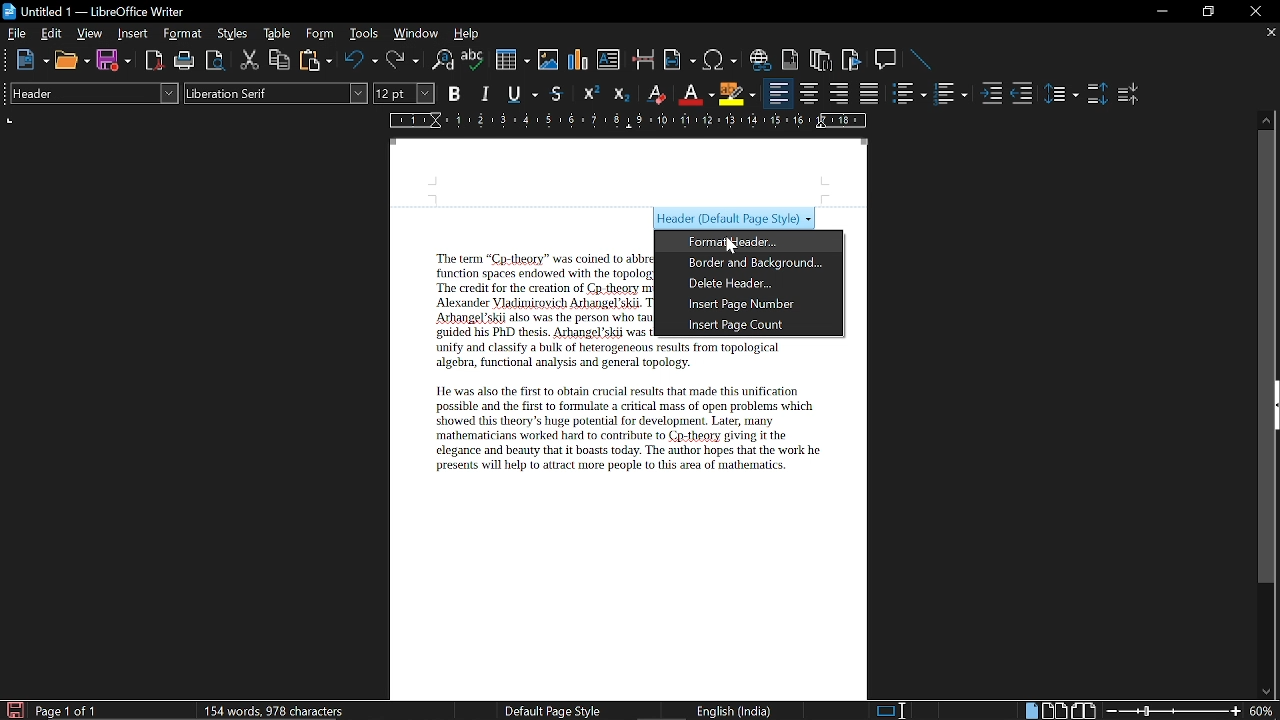 The height and width of the screenshot is (720, 1280). Describe the element at coordinates (1097, 95) in the screenshot. I see `Increase paragraph spacing` at that location.